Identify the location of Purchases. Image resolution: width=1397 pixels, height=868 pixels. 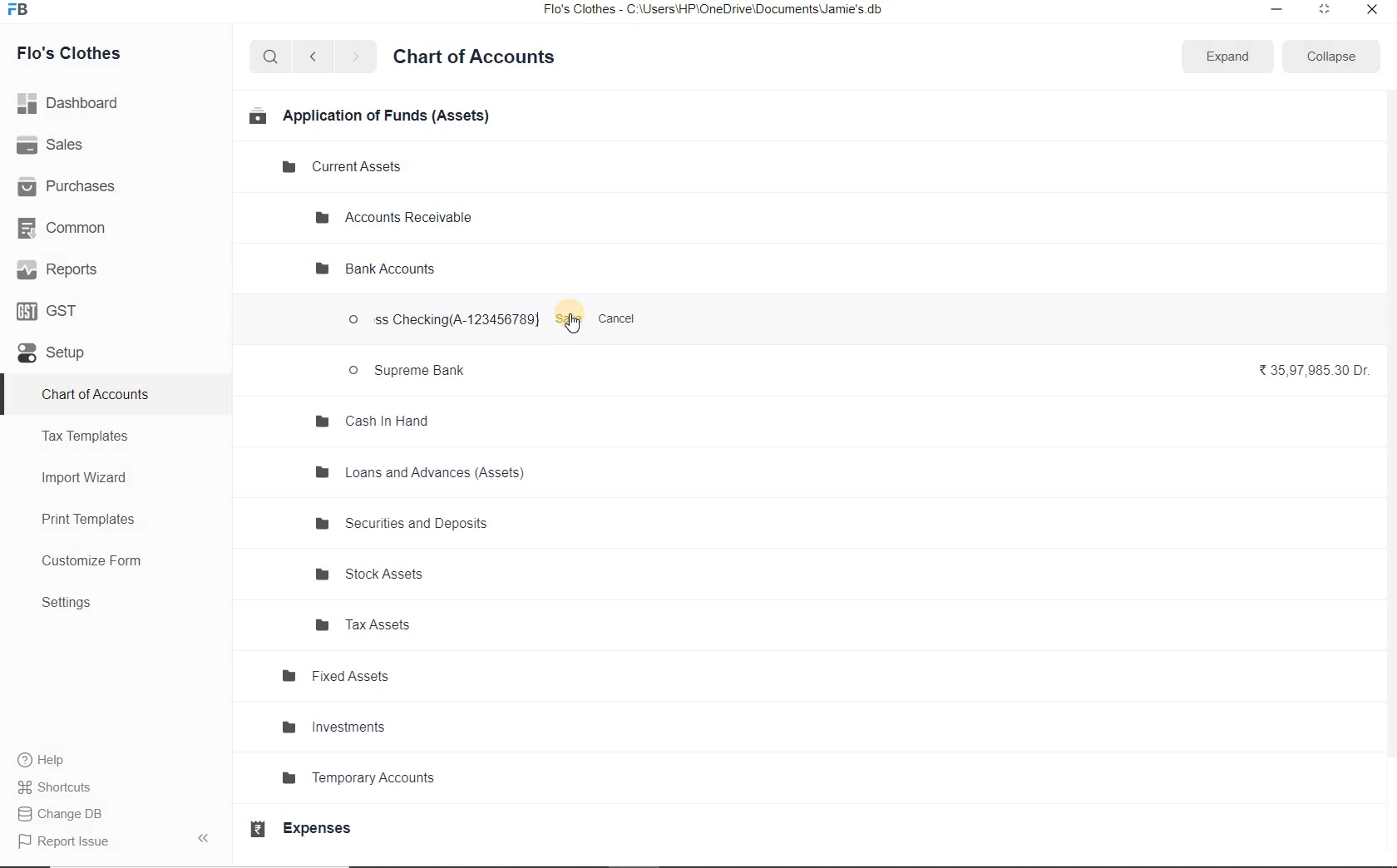
(74, 185).